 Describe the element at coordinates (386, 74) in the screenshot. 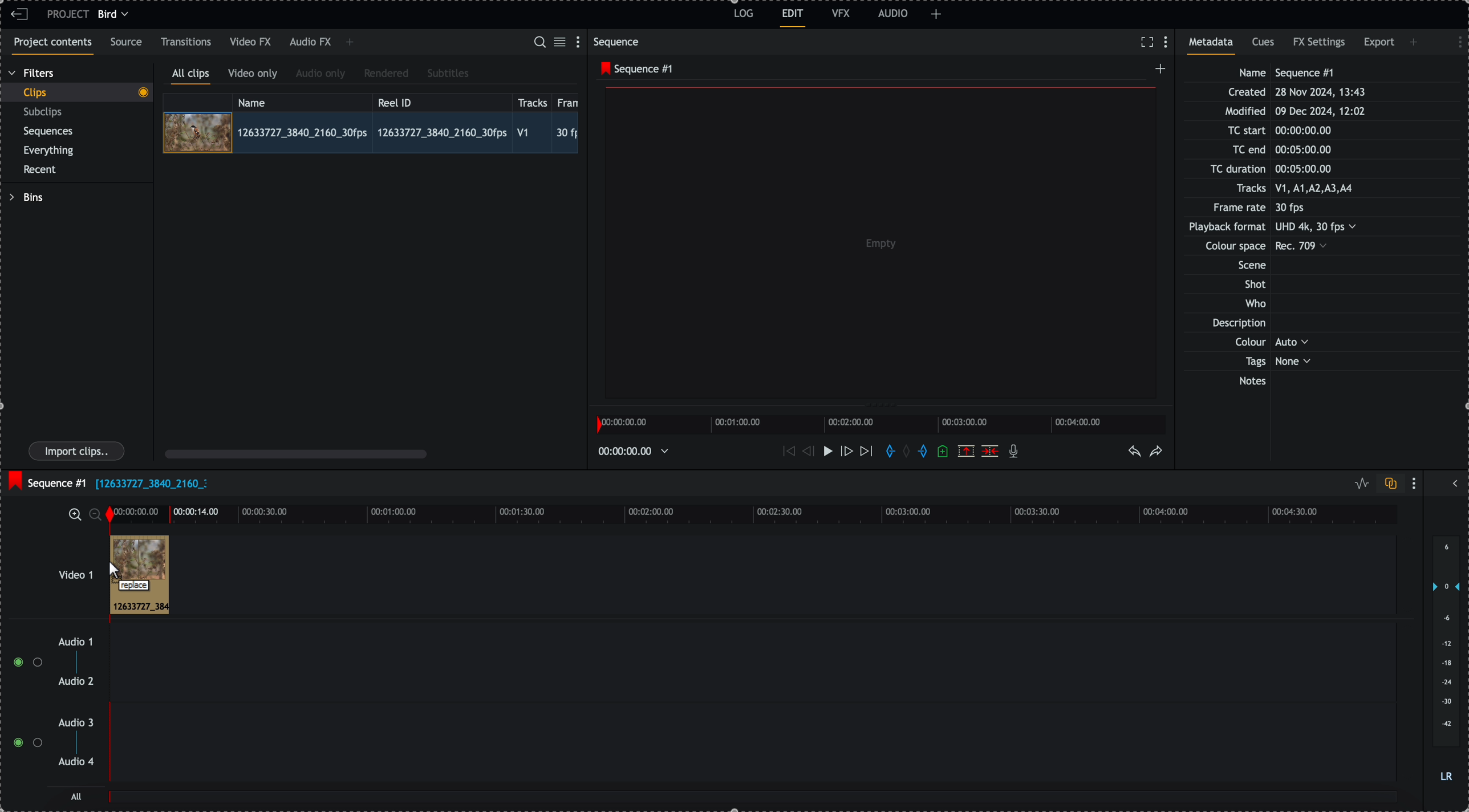

I see `rendered` at that location.